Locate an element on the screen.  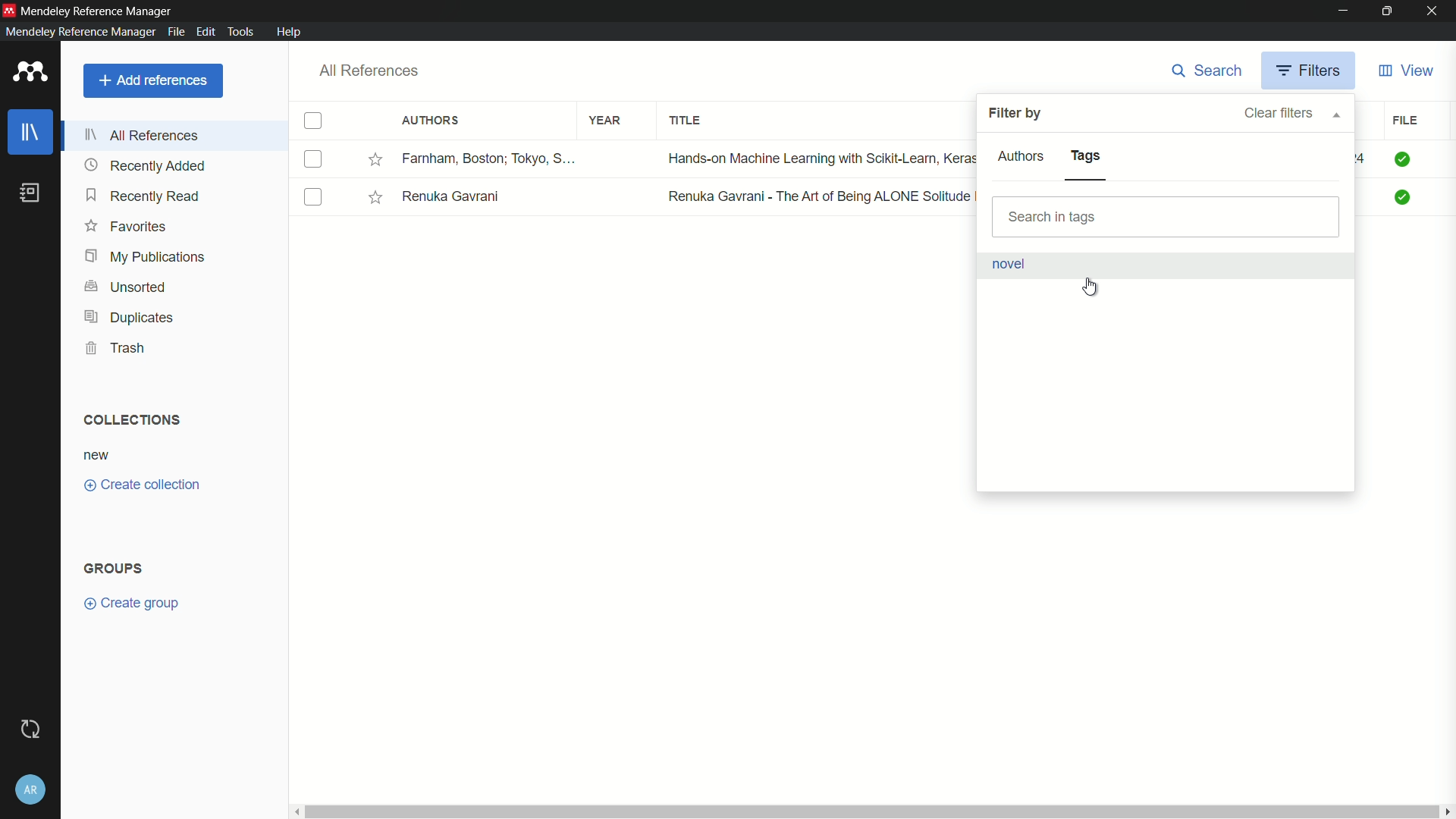
library is located at coordinates (33, 132).